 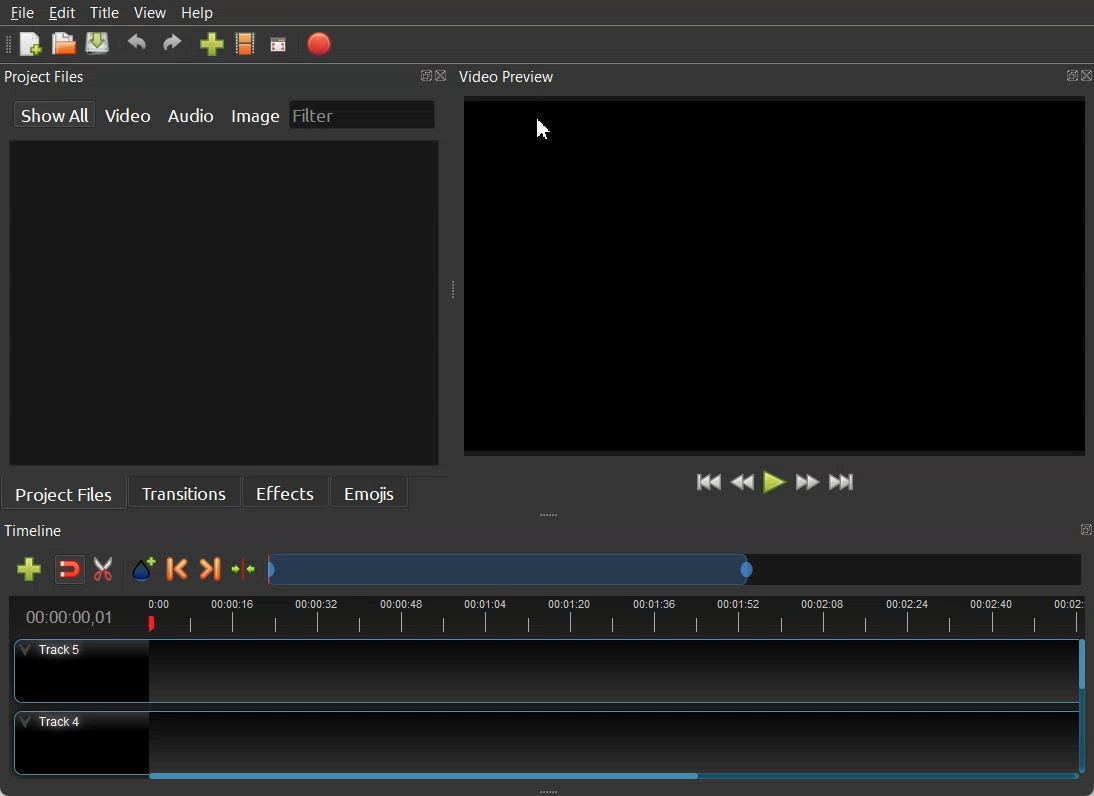 What do you see at coordinates (286, 490) in the screenshot?
I see `Effects` at bounding box center [286, 490].